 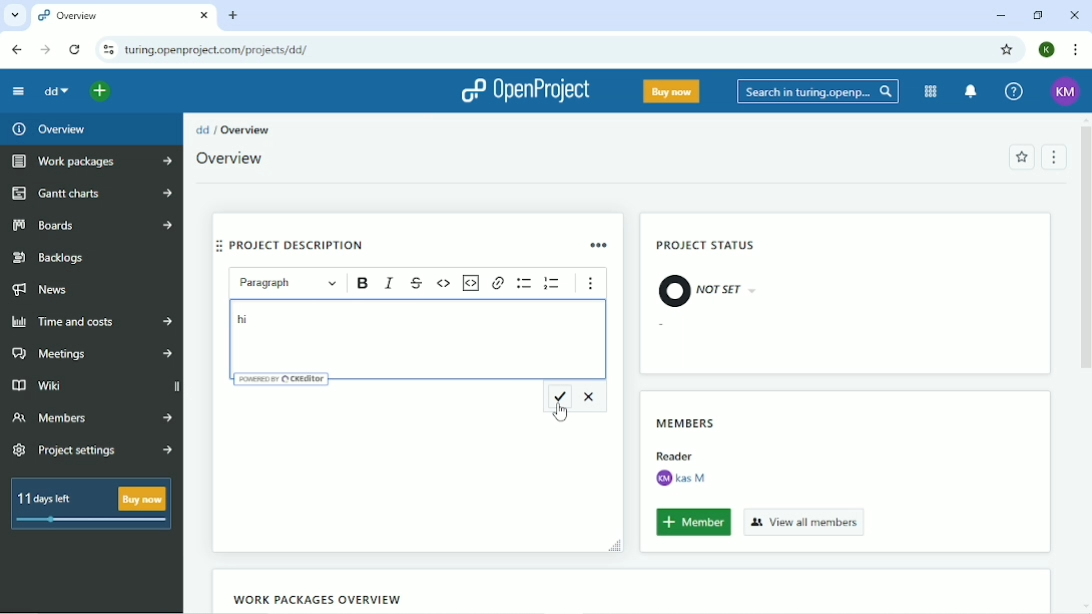 I want to click on Insert code snippet, so click(x=471, y=282).